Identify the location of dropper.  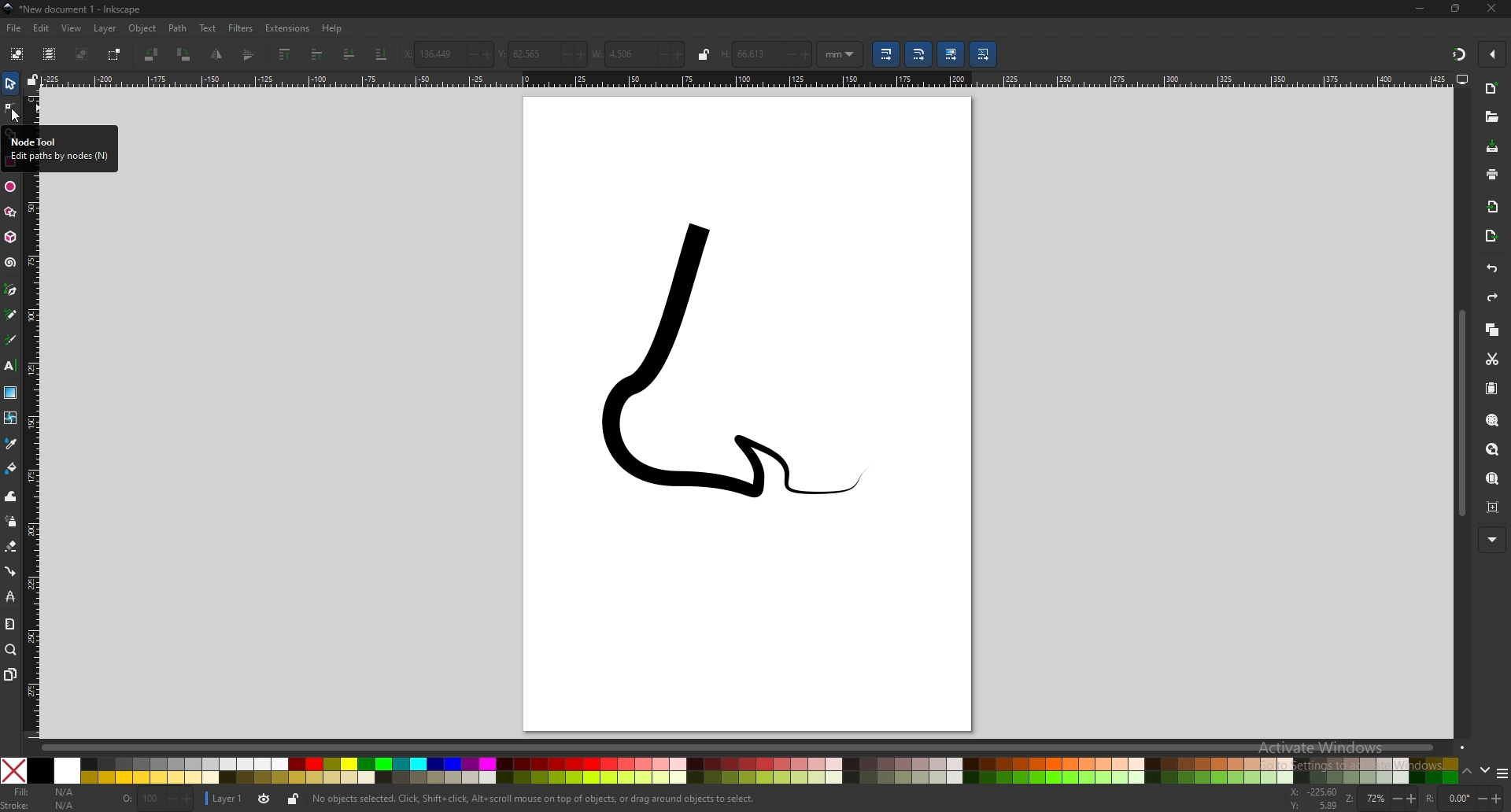
(11, 444).